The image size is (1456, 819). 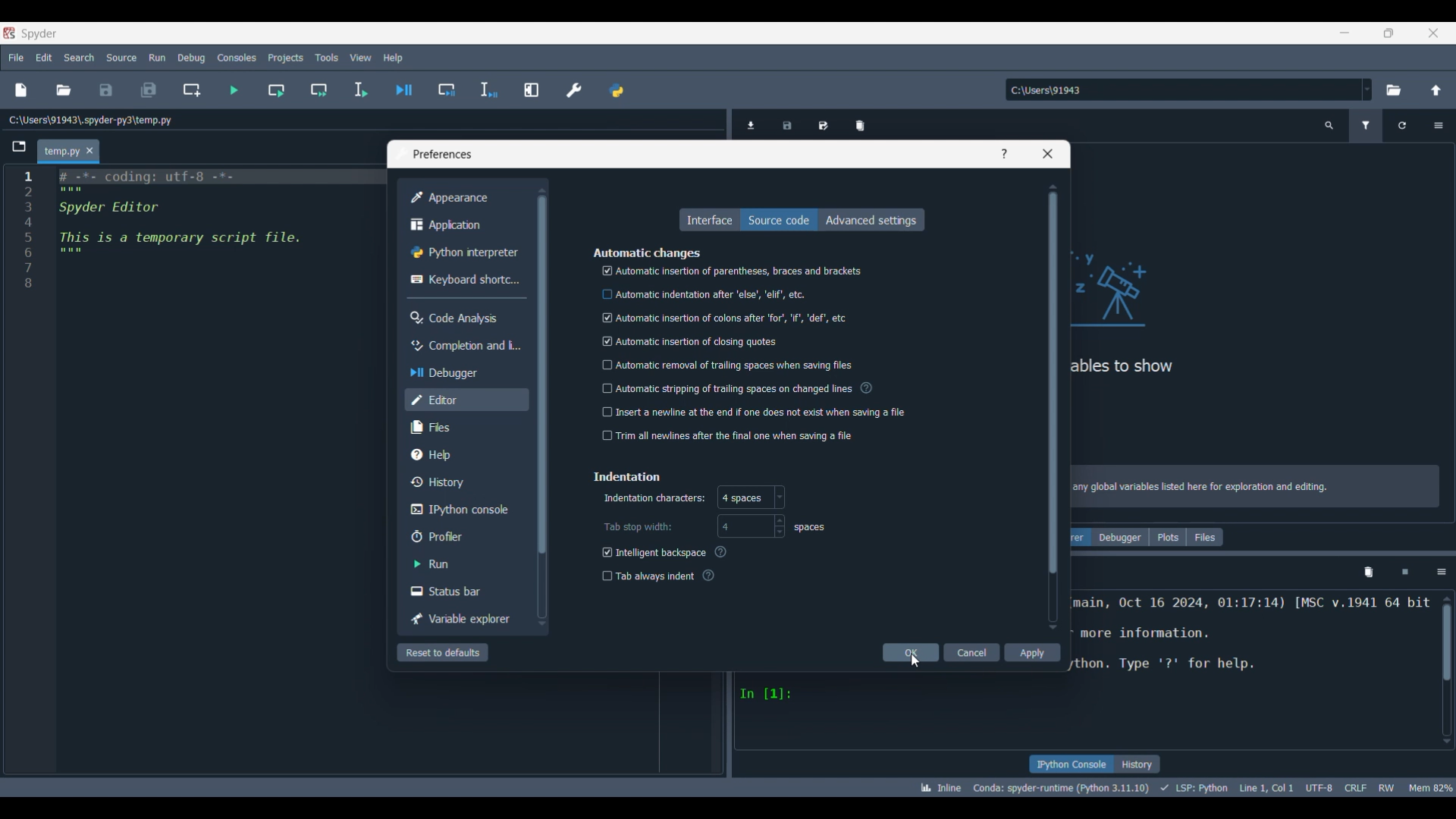 What do you see at coordinates (575, 90) in the screenshot?
I see `Preferences` at bounding box center [575, 90].